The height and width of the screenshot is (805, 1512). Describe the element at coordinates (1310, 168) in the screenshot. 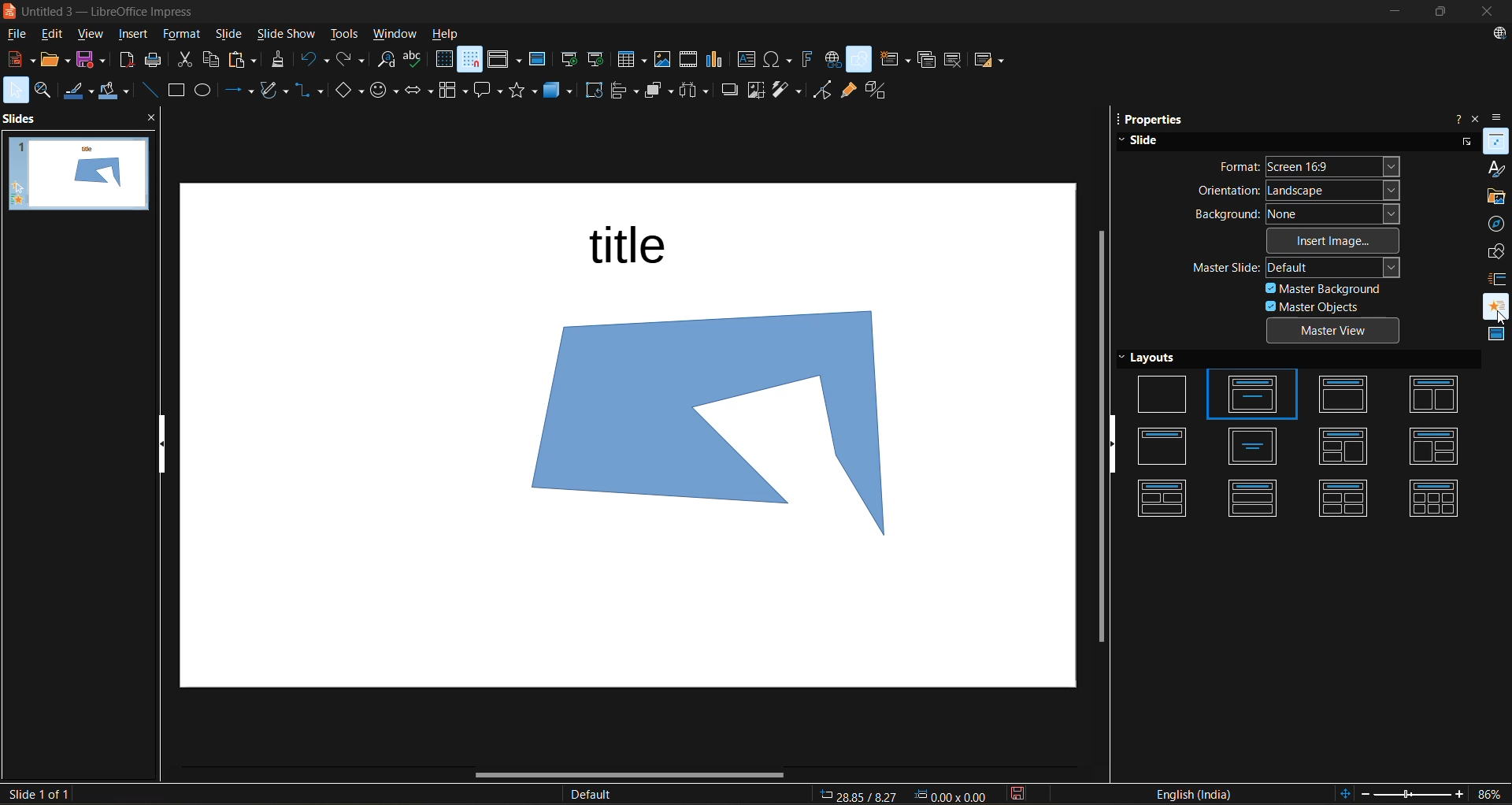

I see `format` at that location.